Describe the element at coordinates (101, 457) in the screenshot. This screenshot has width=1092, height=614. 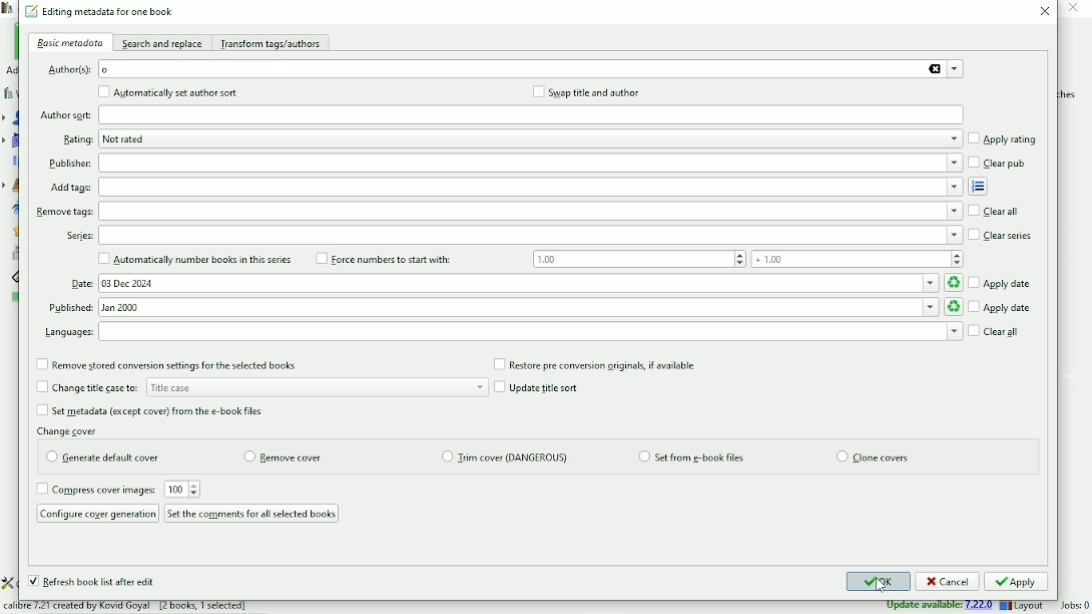
I see `Generate default cover radio button` at that location.